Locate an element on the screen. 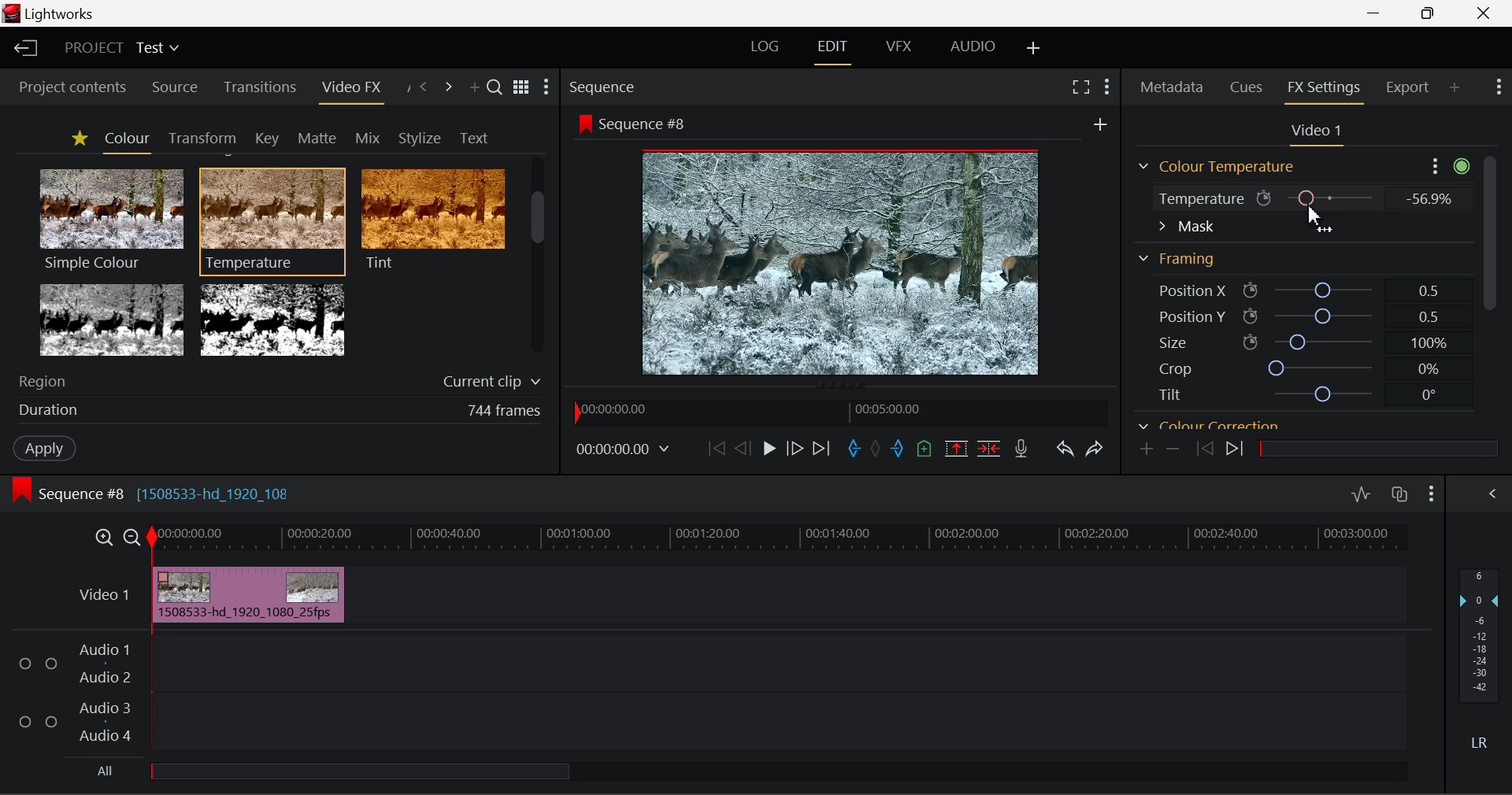 This screenshot has width=1512, height=795. add is located at coordinates (1099, 124).